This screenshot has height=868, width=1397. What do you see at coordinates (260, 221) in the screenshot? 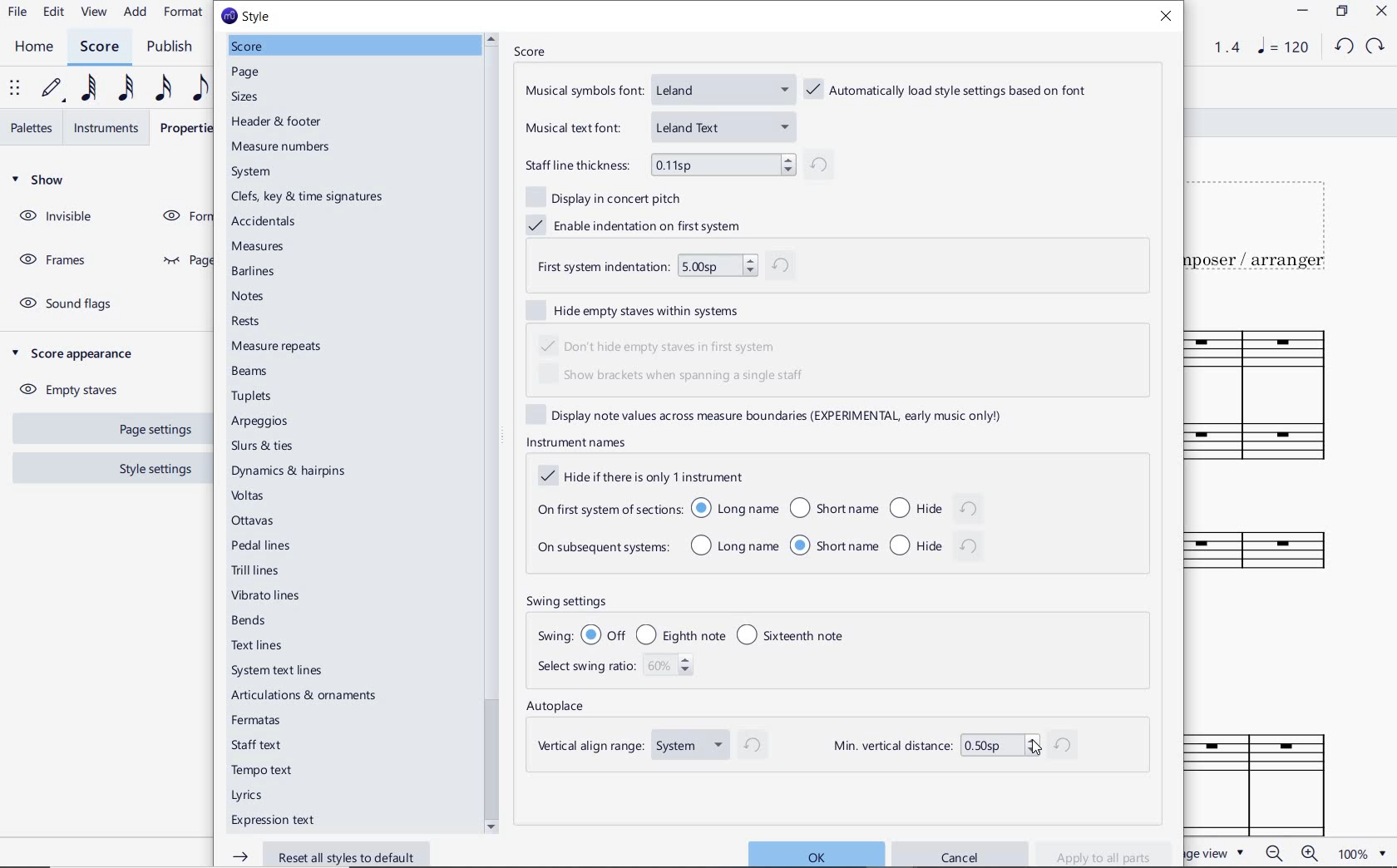
I see `accidentals` at bounding box center [260, 221].